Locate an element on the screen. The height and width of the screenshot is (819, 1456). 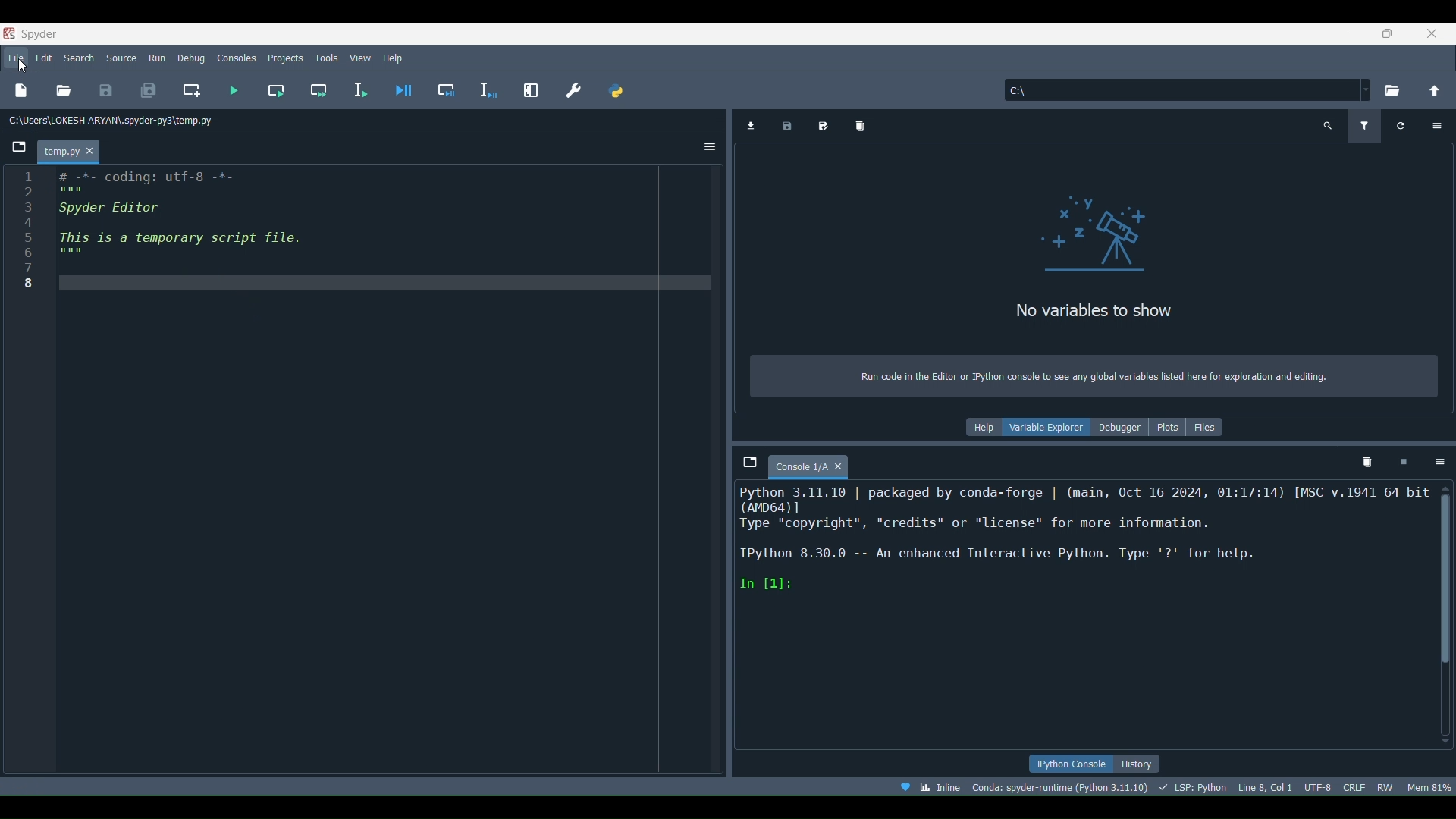
Projects is located at coordinates (286, 55).